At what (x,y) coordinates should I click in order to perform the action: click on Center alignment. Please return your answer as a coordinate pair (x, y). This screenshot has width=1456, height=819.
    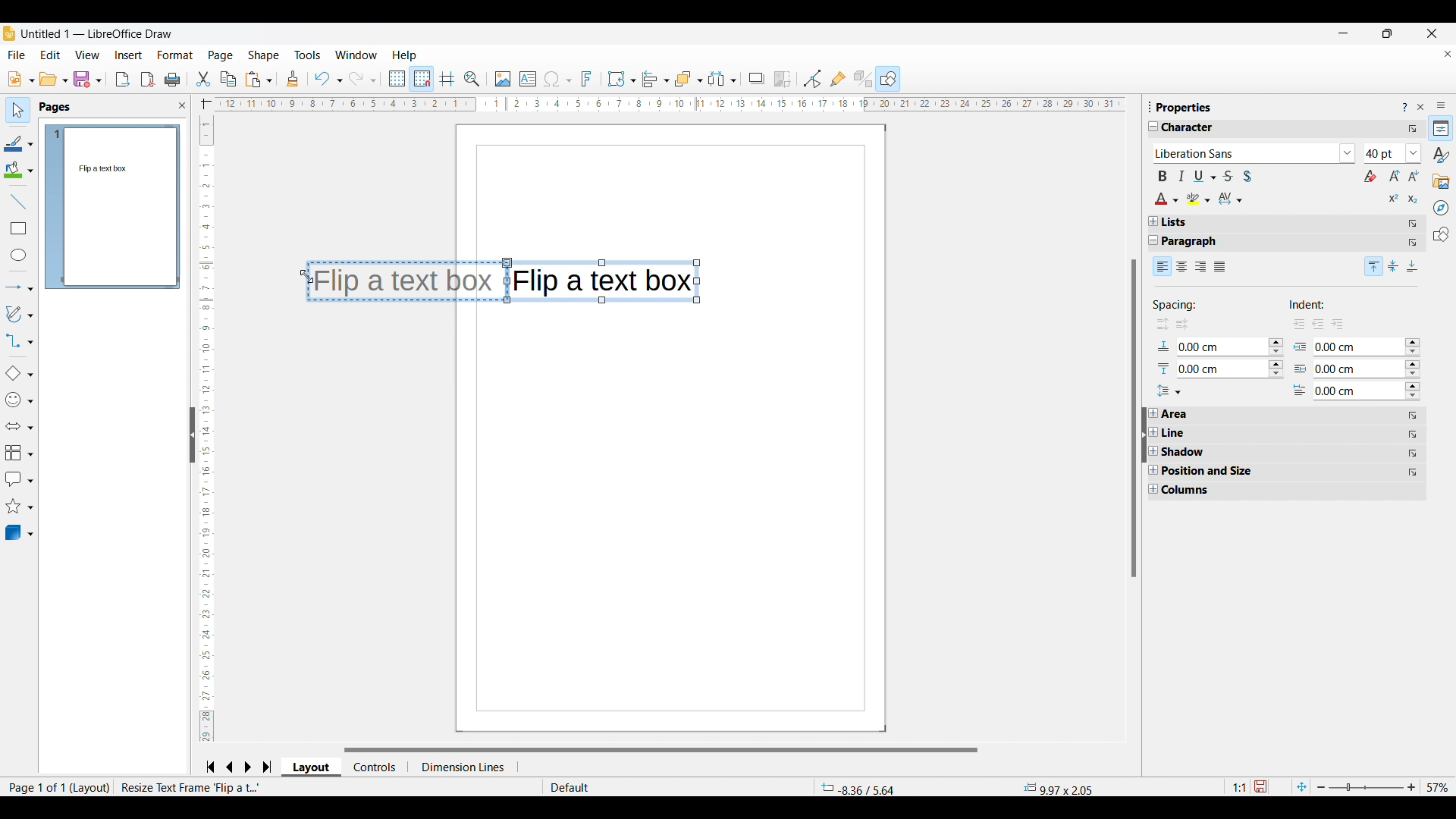
    Looking at the image, I should click on (1394, 266).